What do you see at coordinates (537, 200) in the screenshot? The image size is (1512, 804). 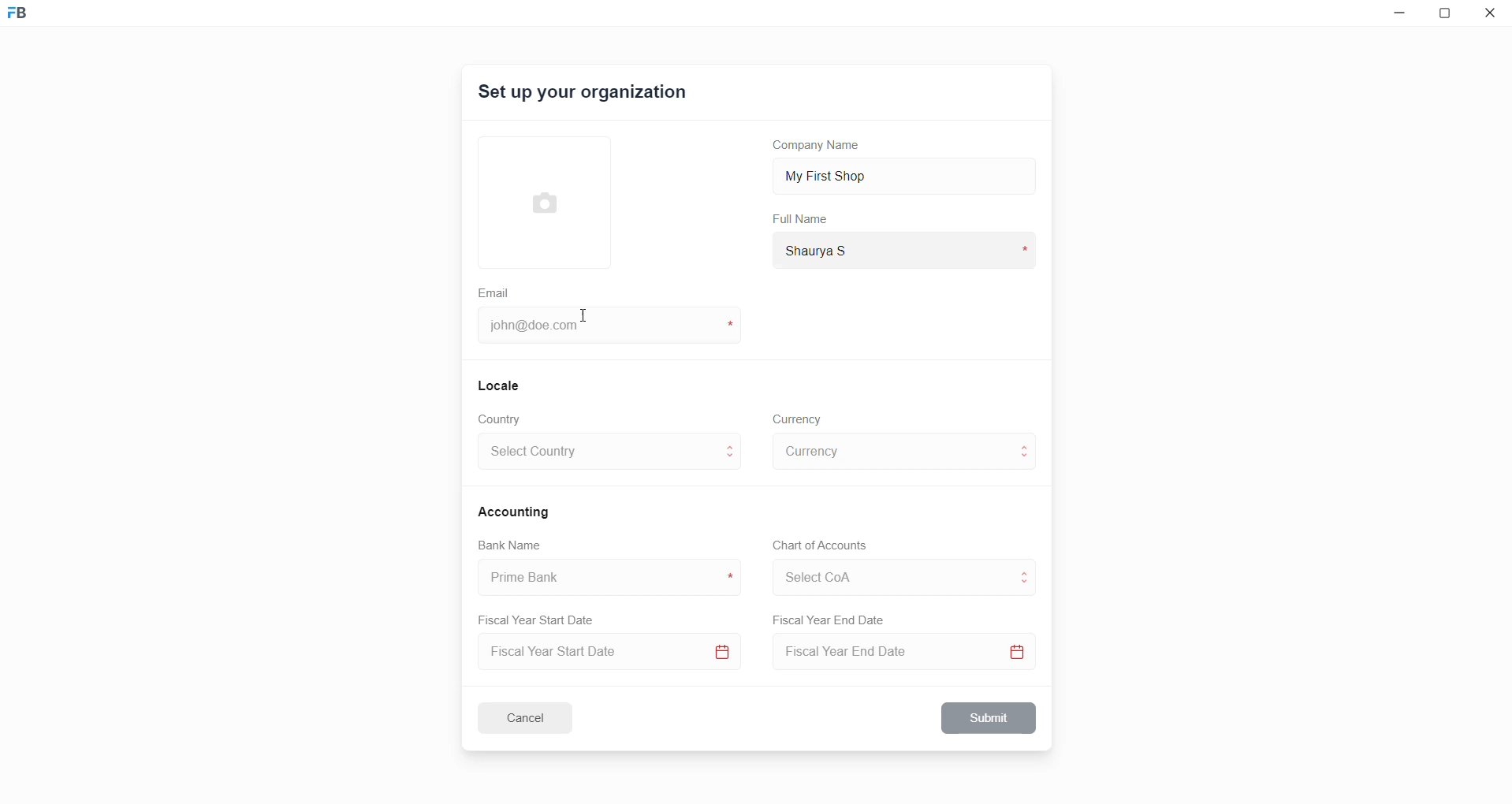 I see `select Profile picture` at bounding box center [537, 200].